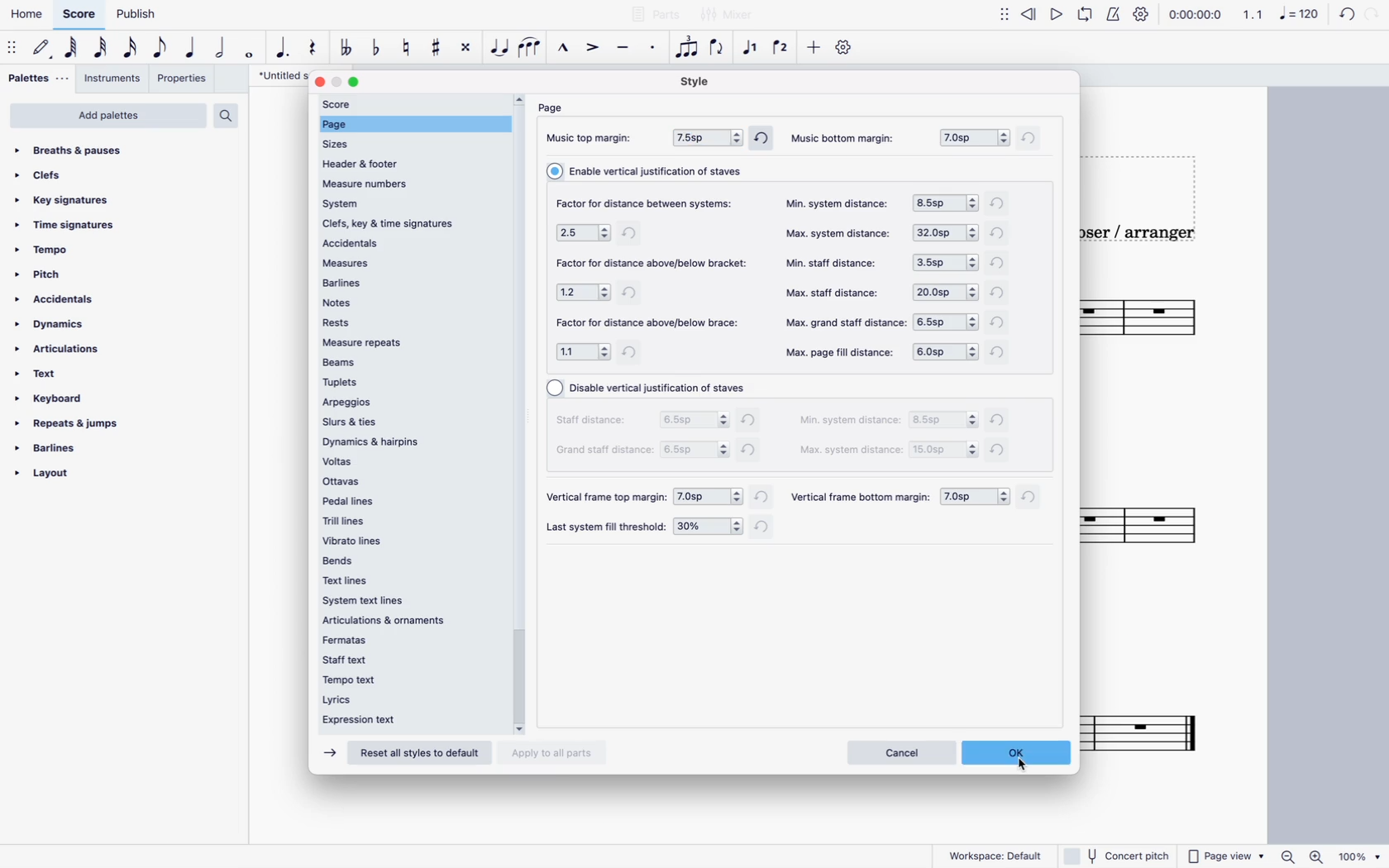 The height and width of the screenshot is (868, 1389). What do you see at coordinates (688, 46) in the screenshot?
I see `tuplet` at bounding box center [688, 46].